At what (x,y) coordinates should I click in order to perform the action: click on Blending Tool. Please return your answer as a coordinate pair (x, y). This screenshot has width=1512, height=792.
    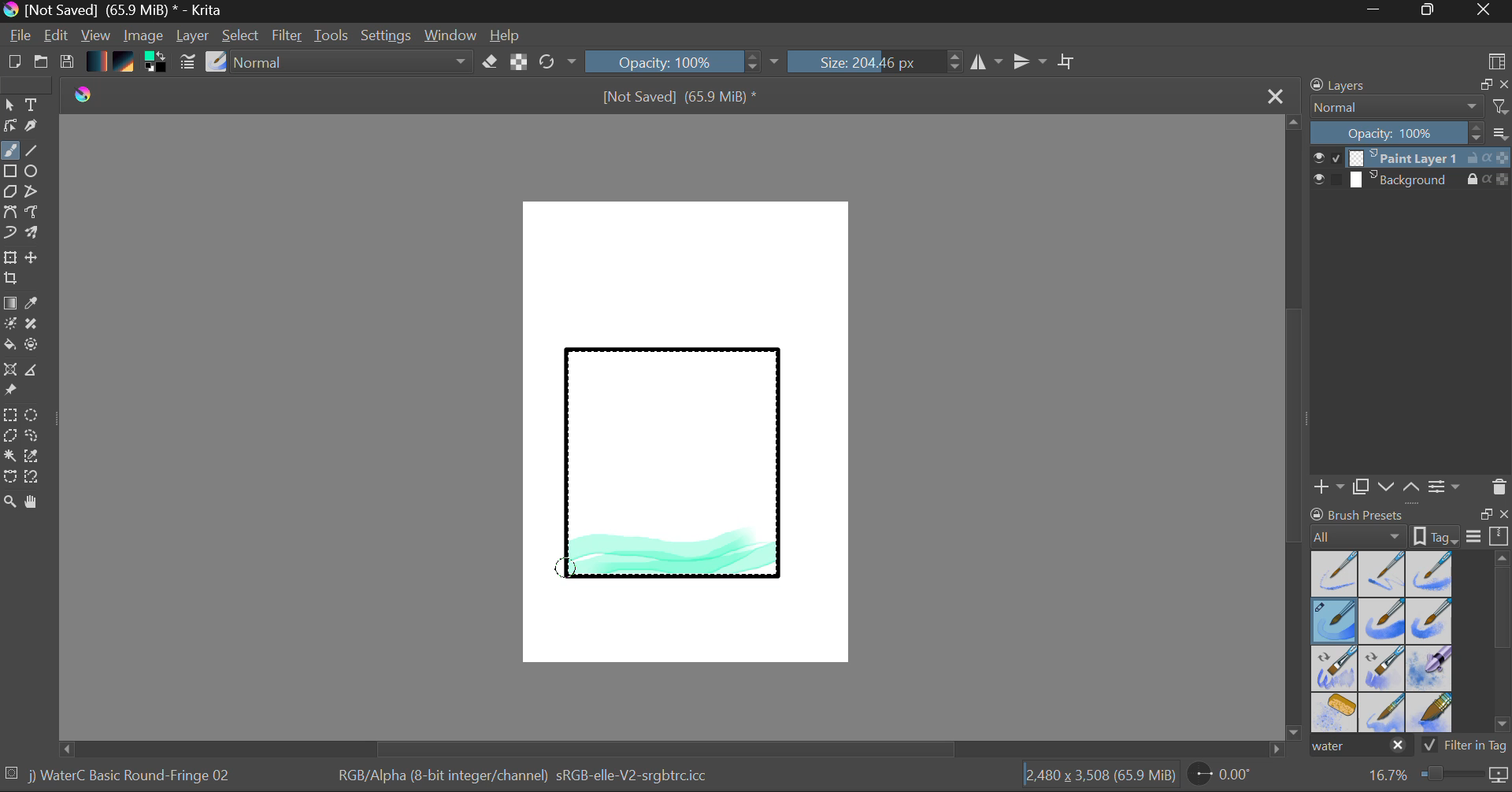
    Looking at the image, I should click on (354, 63).